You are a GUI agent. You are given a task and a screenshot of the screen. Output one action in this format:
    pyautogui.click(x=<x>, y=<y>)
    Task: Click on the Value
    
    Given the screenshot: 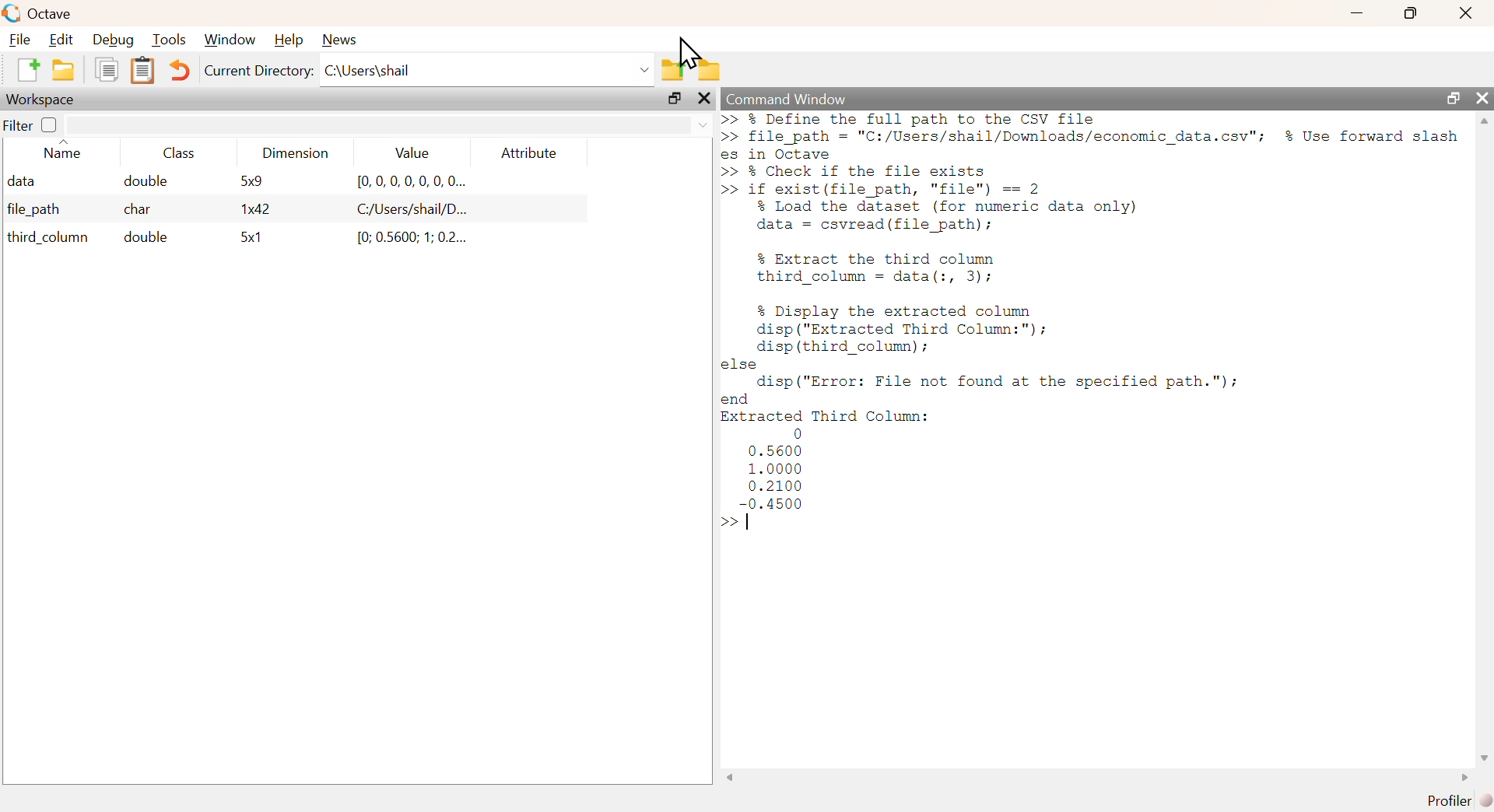 What is the action you would take?
    pyautogui.click(x=417, y=152)
    